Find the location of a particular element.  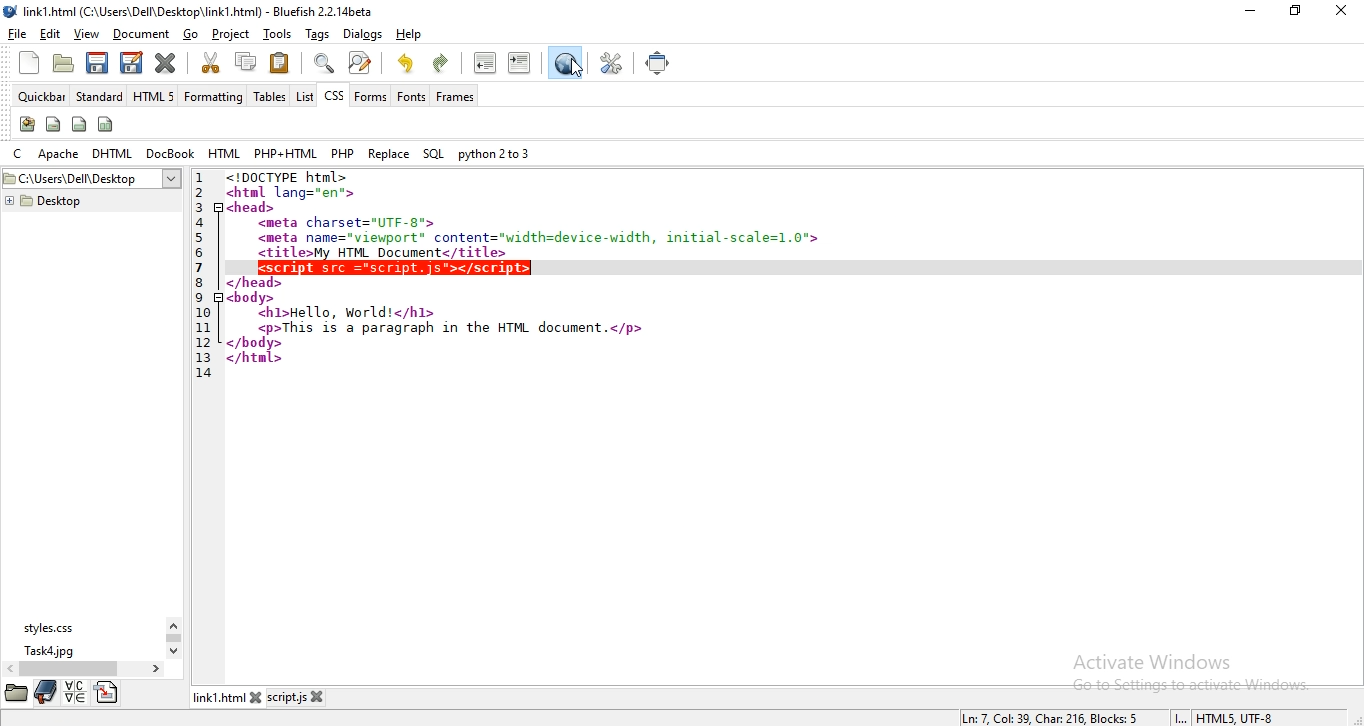

dialog is located at coordinates (361, 34).